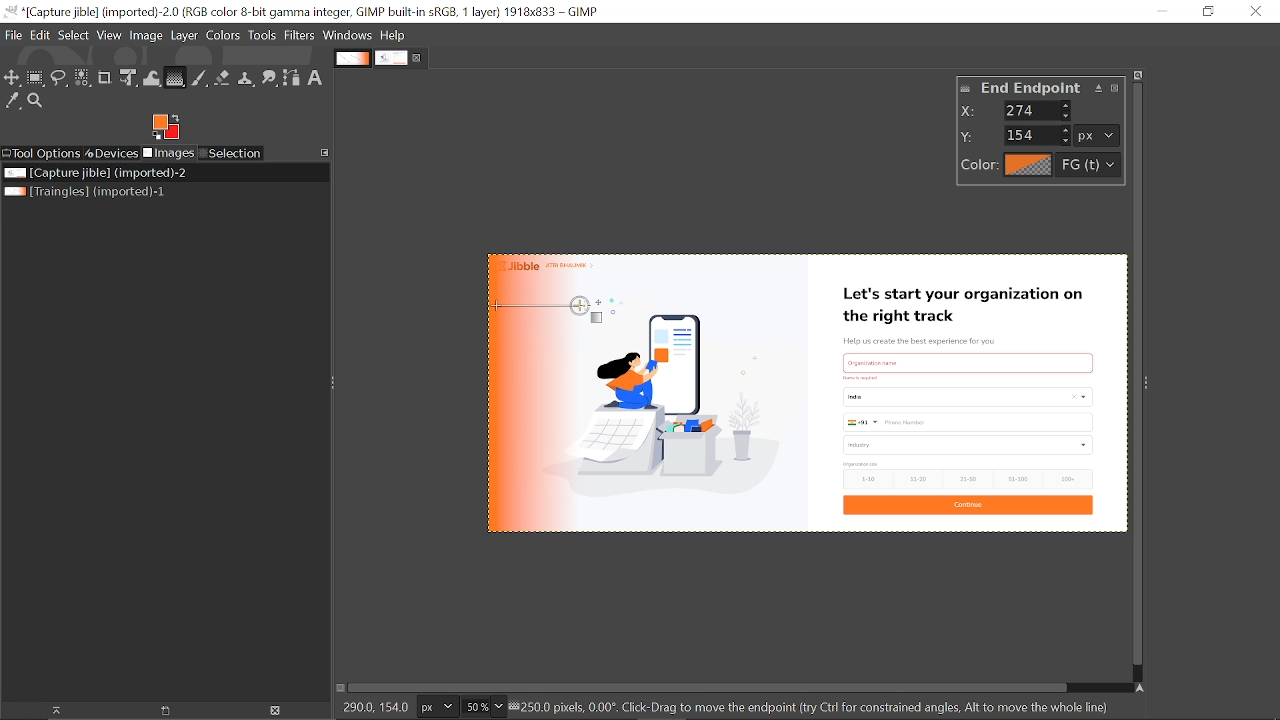 This screenshot has width=1280, height=720. Describe the element at coordinates (803, 394) in the screenshot. I see `current image` at that location.